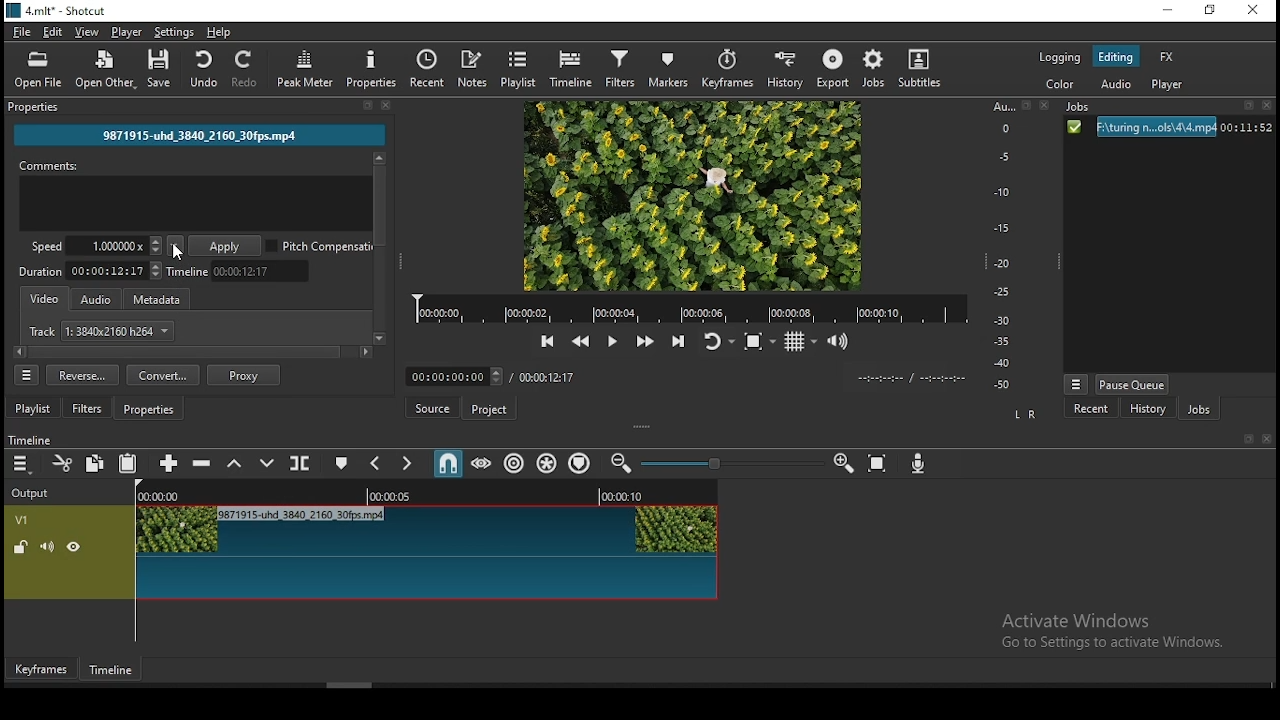 This screenshot has width=1280, height=720. Describe the element at coordinates (181, 254) in the screenshot. I see `cursor` at that location.